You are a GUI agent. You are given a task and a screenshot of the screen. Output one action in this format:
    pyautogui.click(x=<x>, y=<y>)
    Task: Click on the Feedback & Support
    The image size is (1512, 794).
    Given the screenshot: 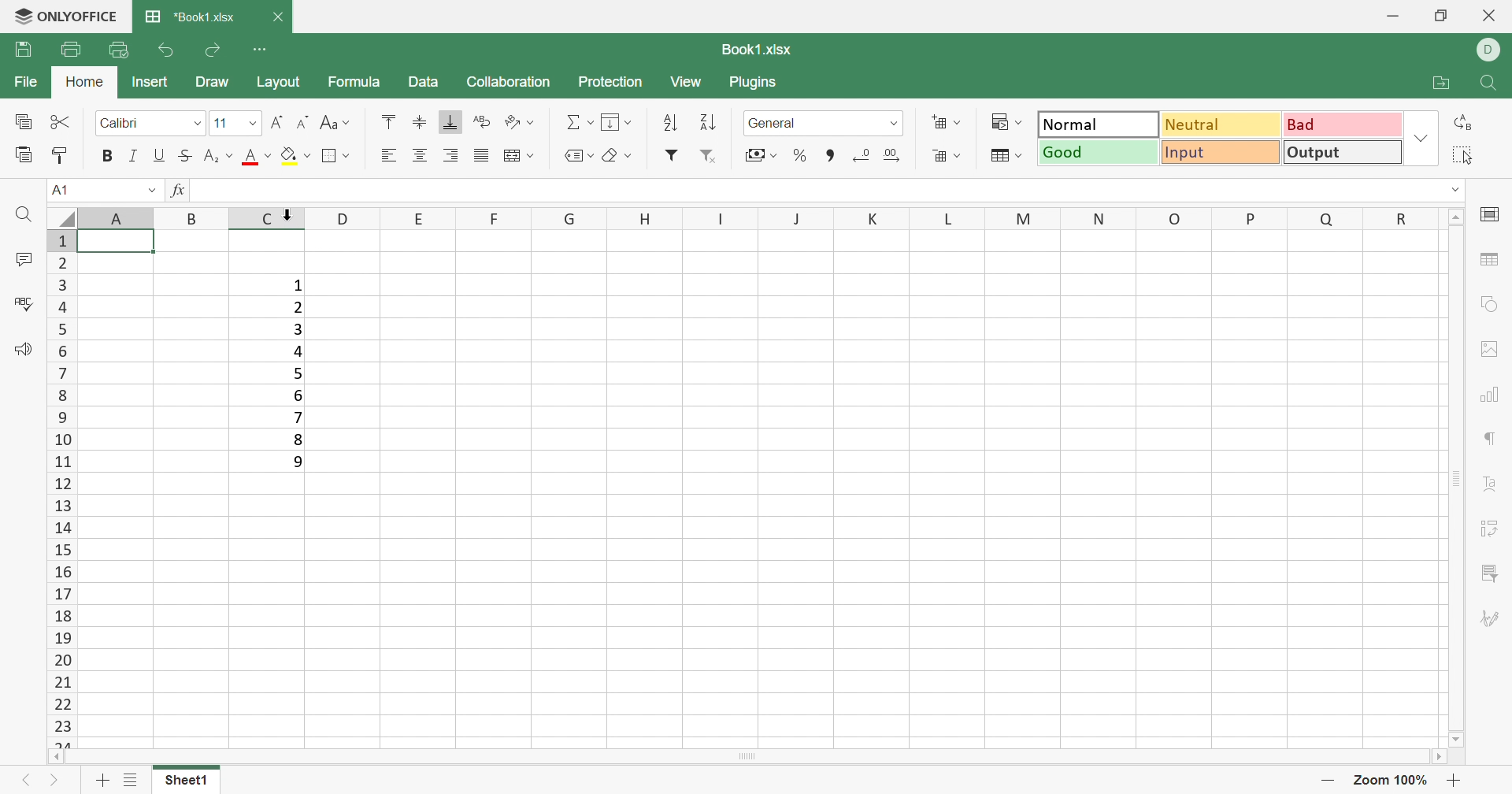 What is the action you would take?
    pyautogui.click(x=21, y=351)
    